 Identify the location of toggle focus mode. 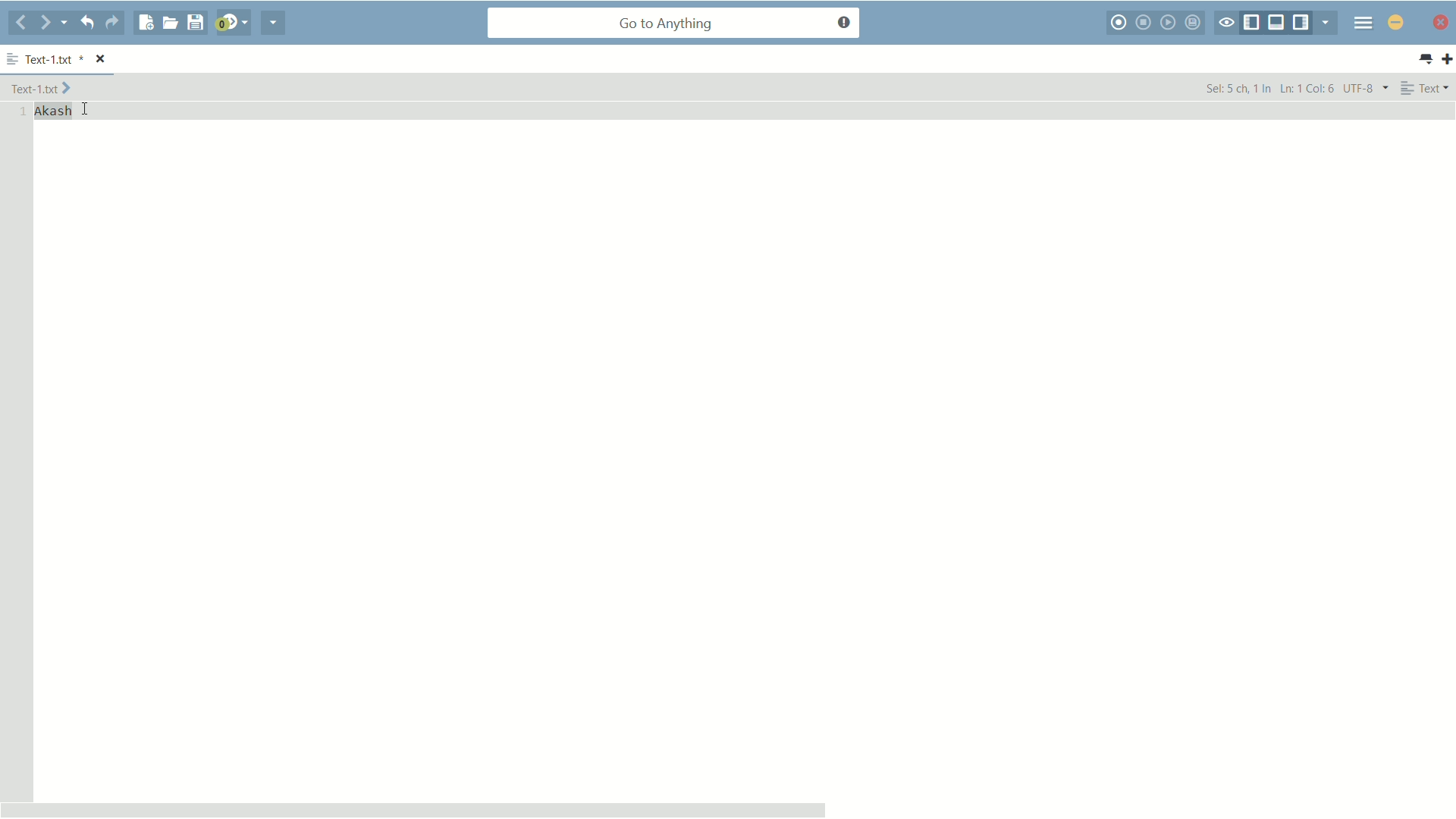
(1226, 24).